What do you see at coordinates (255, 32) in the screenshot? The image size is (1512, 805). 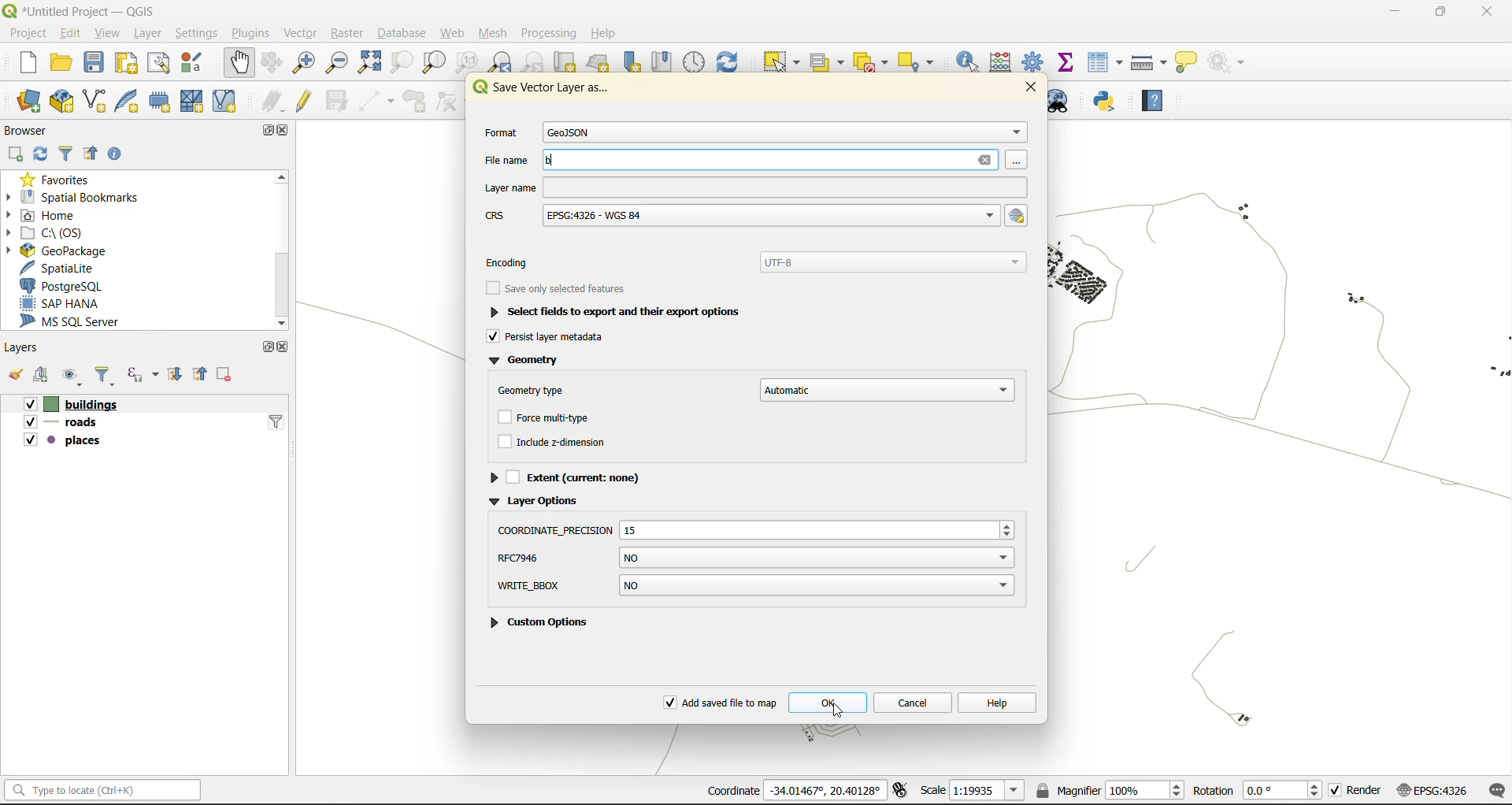 I see `plugins` at bounding box center [255, 32].